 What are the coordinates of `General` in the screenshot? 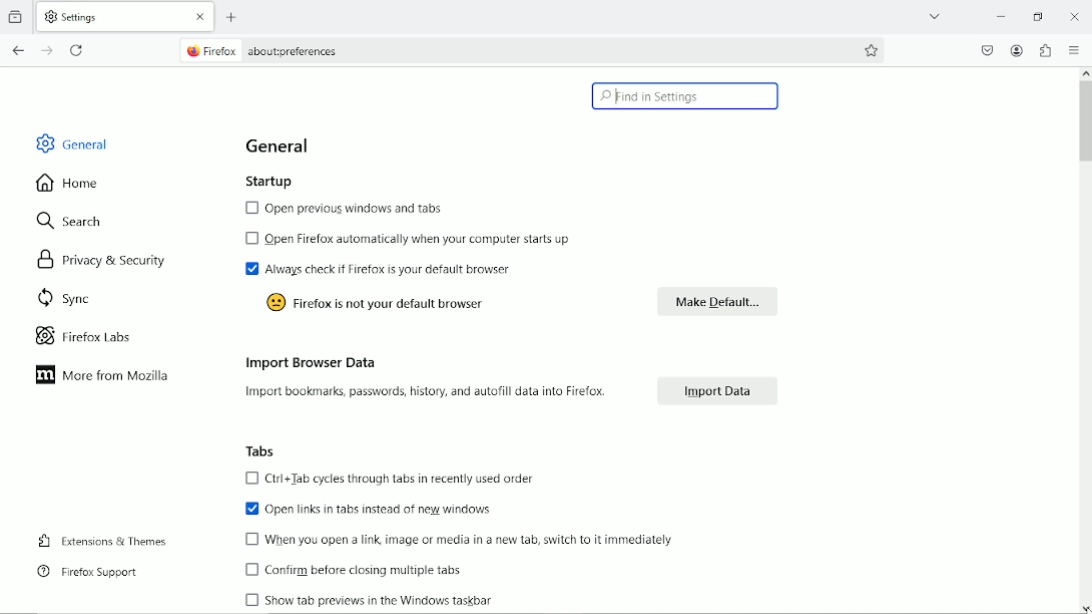 It's located at (279, 145).